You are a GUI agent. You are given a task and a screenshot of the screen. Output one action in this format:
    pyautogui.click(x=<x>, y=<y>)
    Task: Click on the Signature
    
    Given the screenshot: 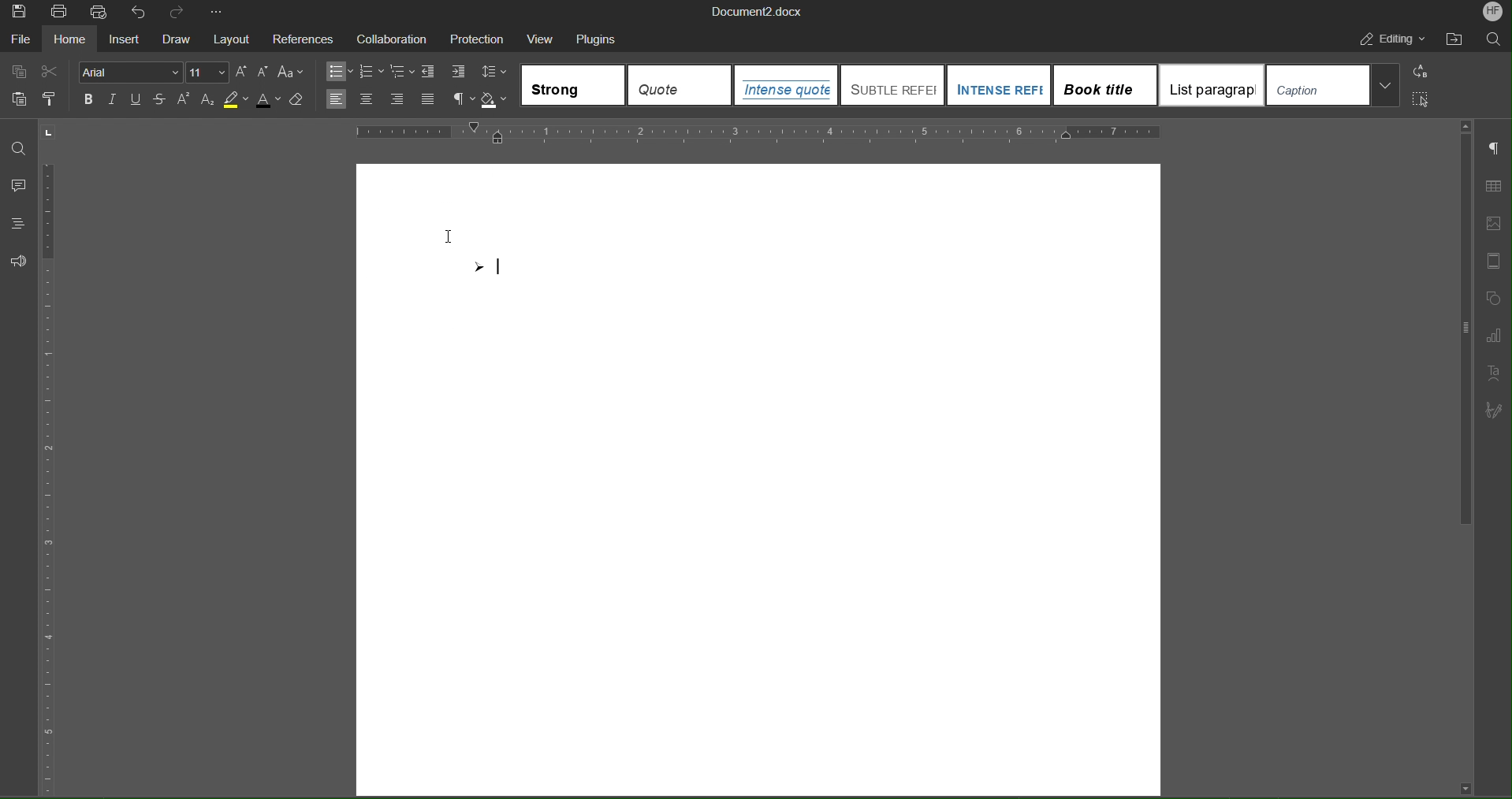 What is the action you would take?
    pyautogui.click(x=1492, y=409)
    